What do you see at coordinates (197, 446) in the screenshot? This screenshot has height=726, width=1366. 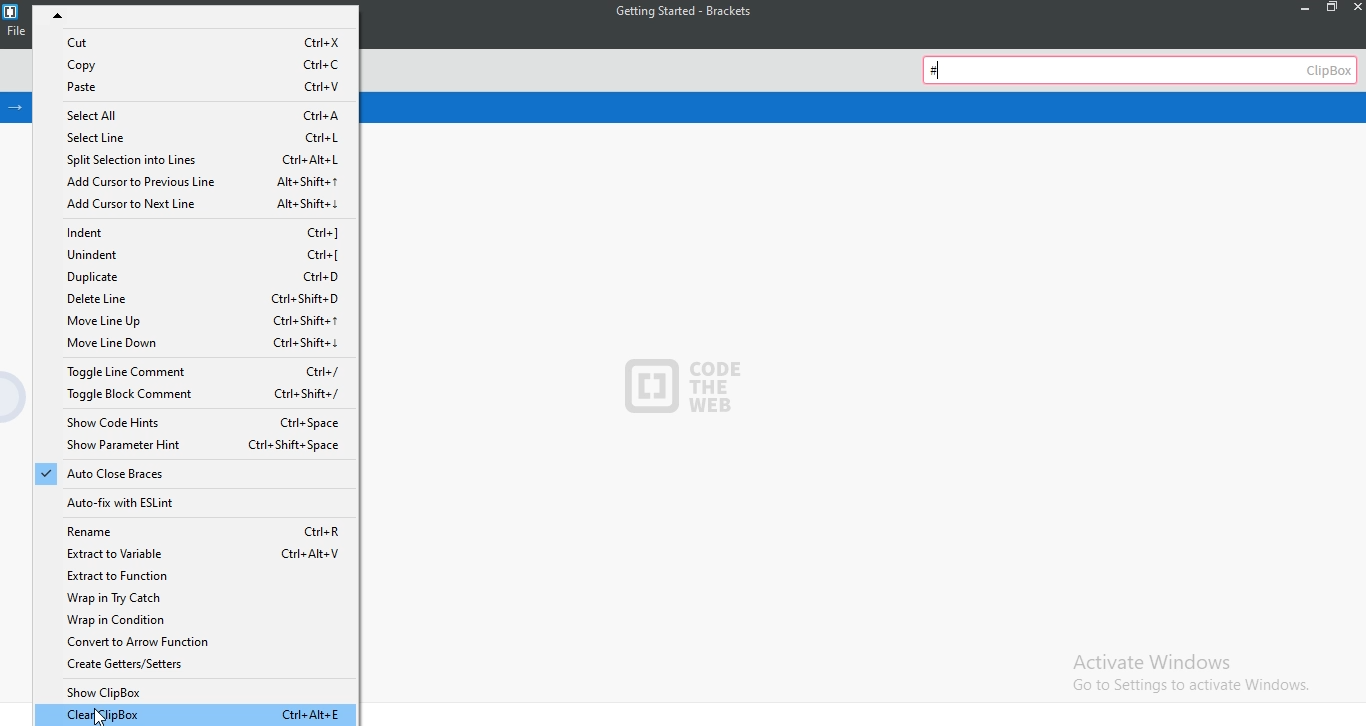 I see `Show Parameters Hints` at bounding box center [197, 446].